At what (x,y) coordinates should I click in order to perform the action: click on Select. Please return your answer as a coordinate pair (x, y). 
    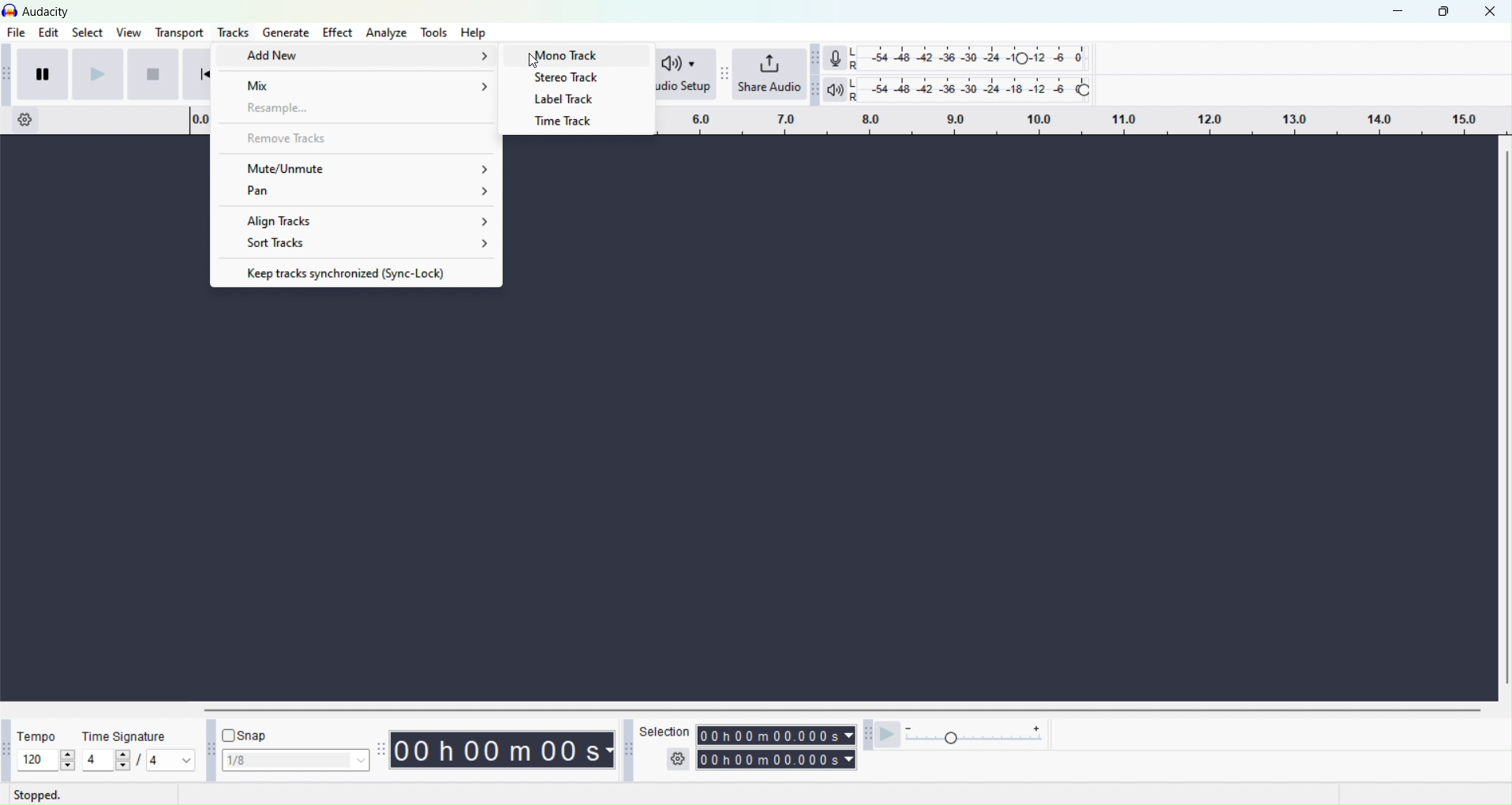
    Looking at the image, I should click on (86, 33).